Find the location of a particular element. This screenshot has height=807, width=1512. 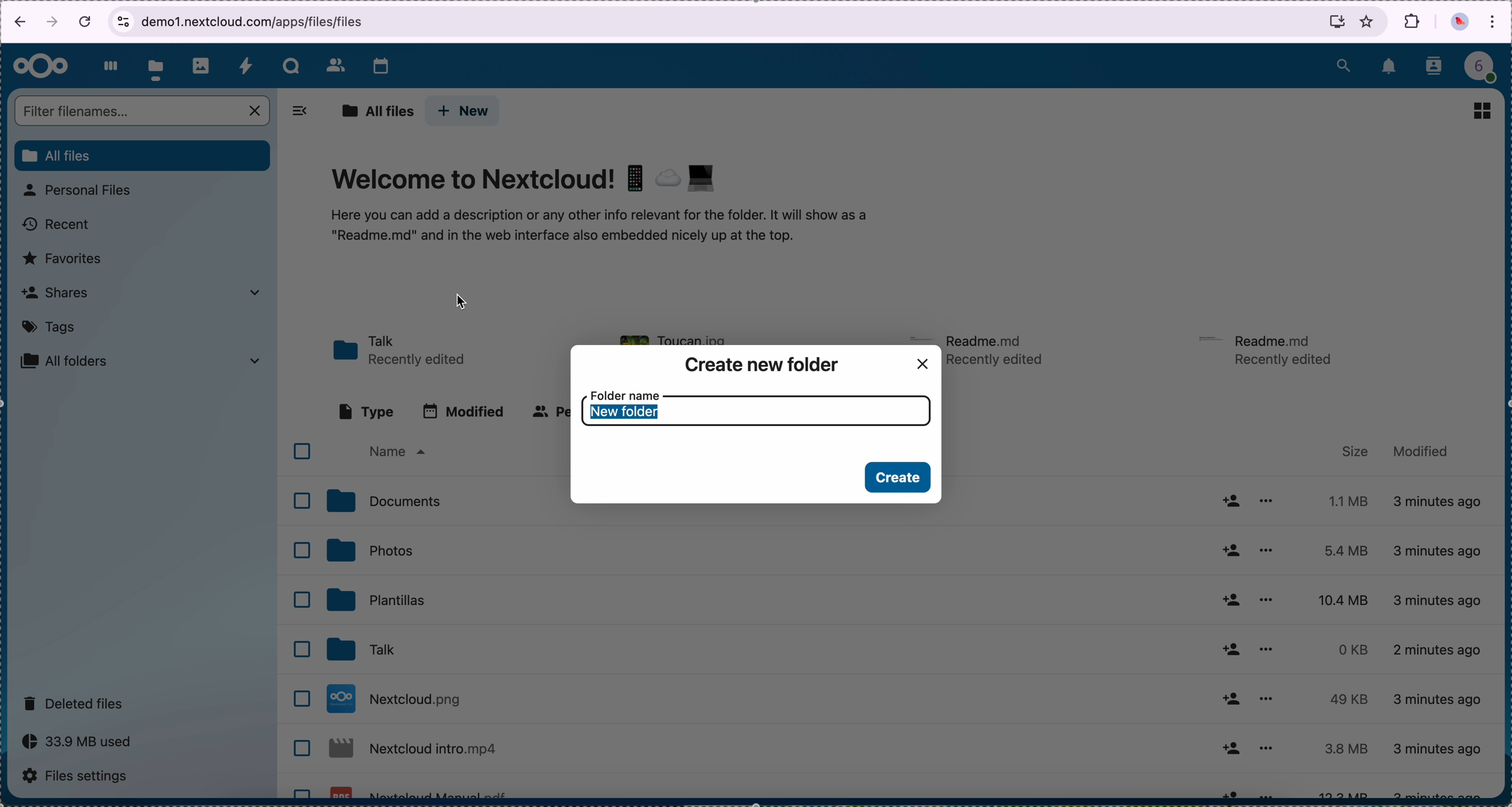

extensions is located at coordinates (1413, 21).